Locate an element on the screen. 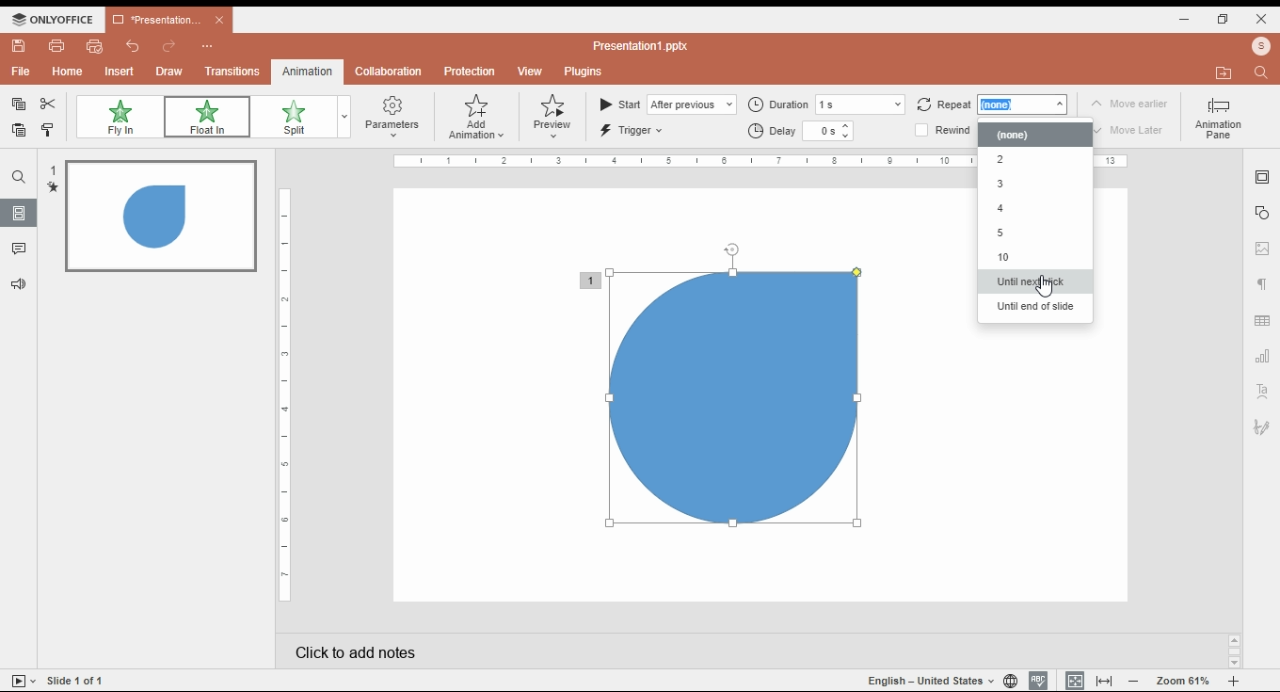 This screenshot has height=692, width=1280. move later is located at coordinates (1130, 132).